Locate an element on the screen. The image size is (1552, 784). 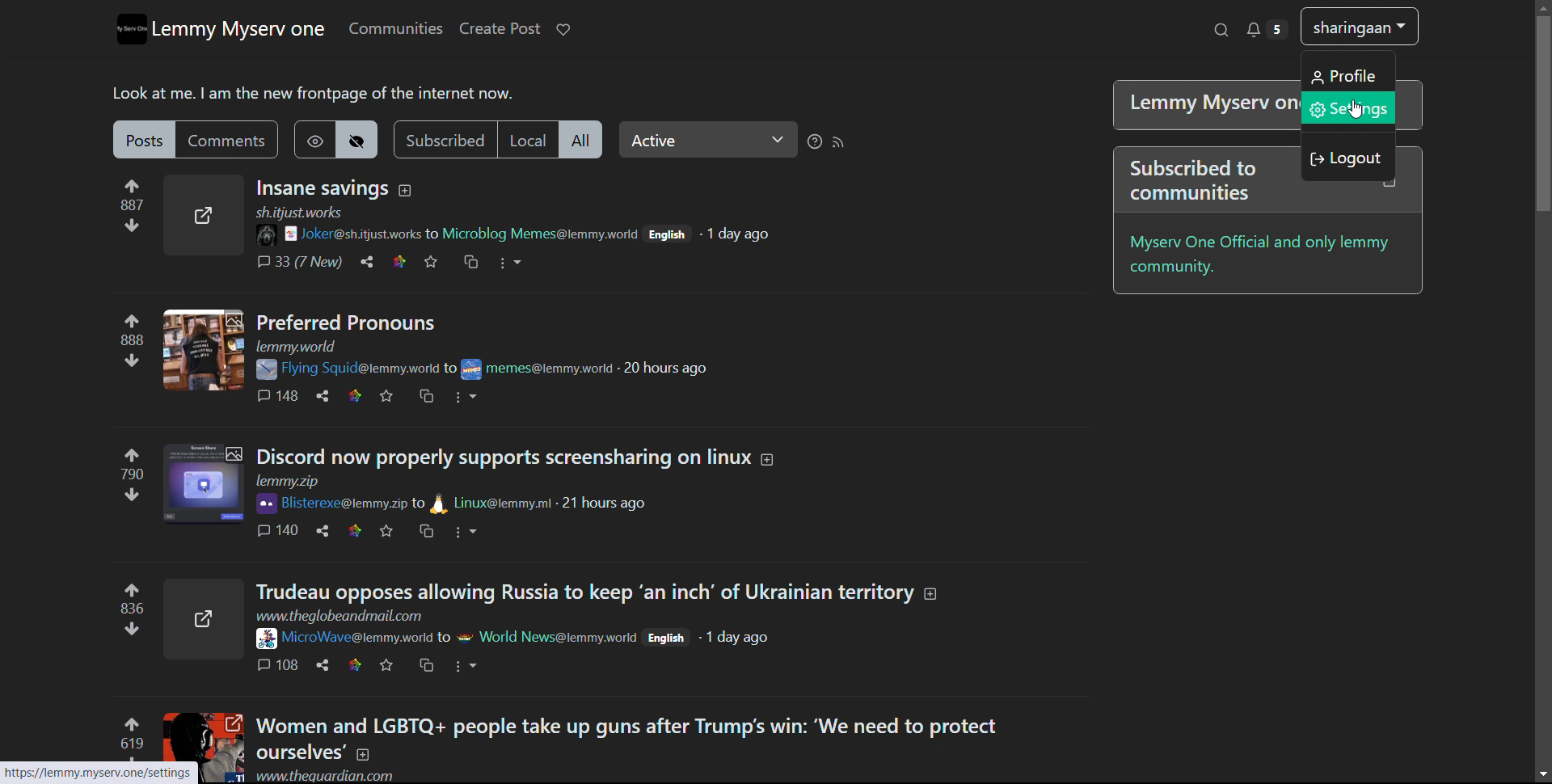
notifications 5 is located at coordinates (1265, 29).